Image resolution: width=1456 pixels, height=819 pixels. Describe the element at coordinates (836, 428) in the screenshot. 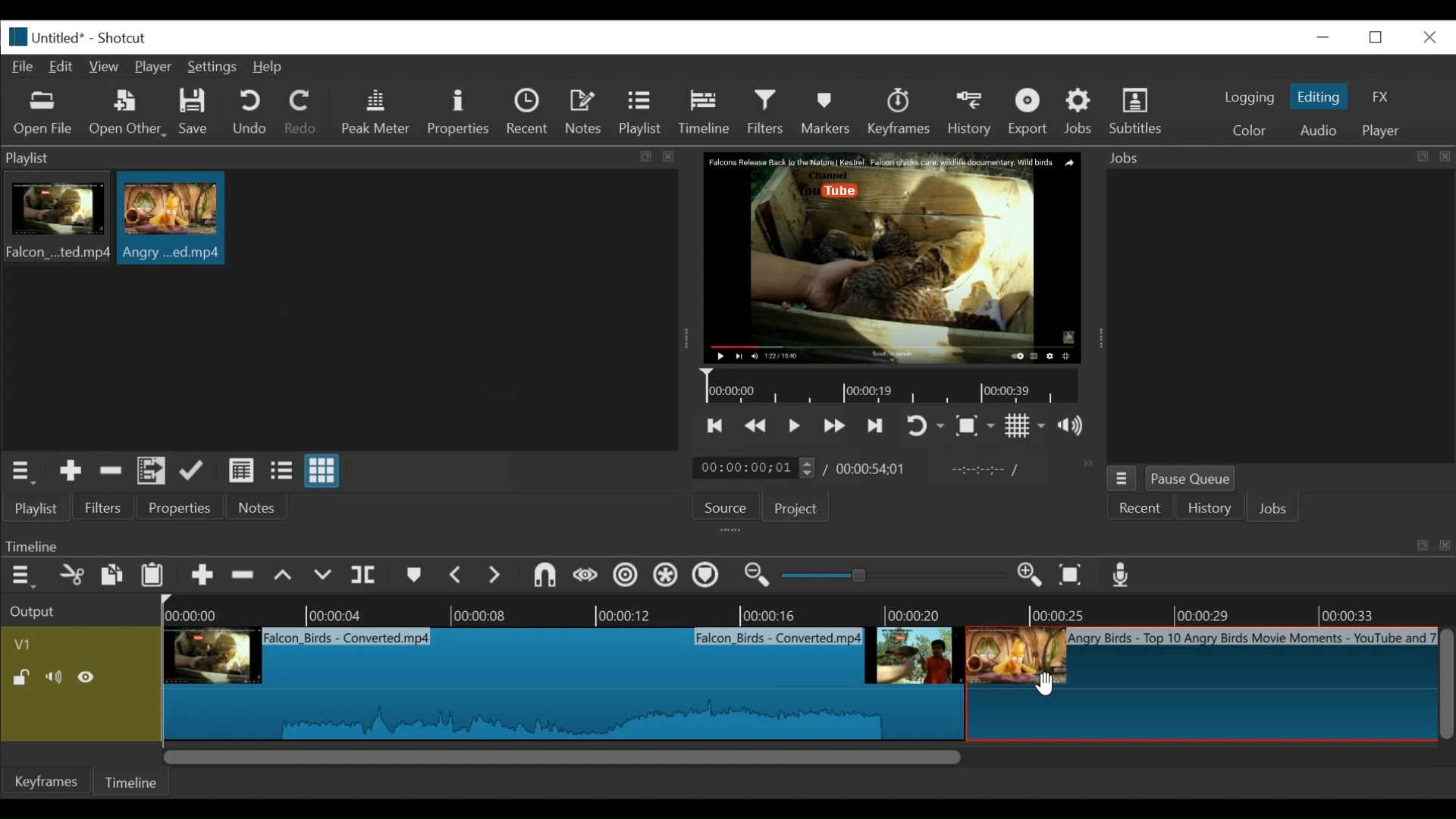

I see `play forward quickly` at that location.